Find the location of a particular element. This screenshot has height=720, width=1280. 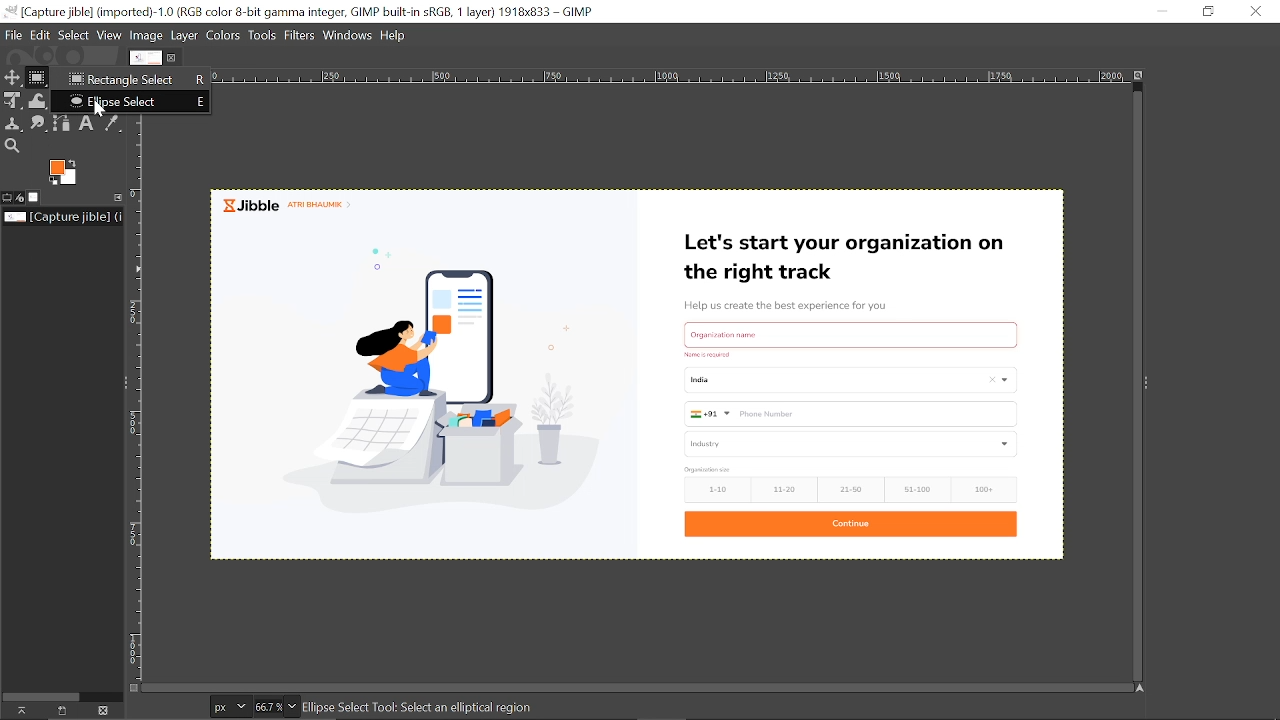

Close current image is located at coordinates (173, 58).